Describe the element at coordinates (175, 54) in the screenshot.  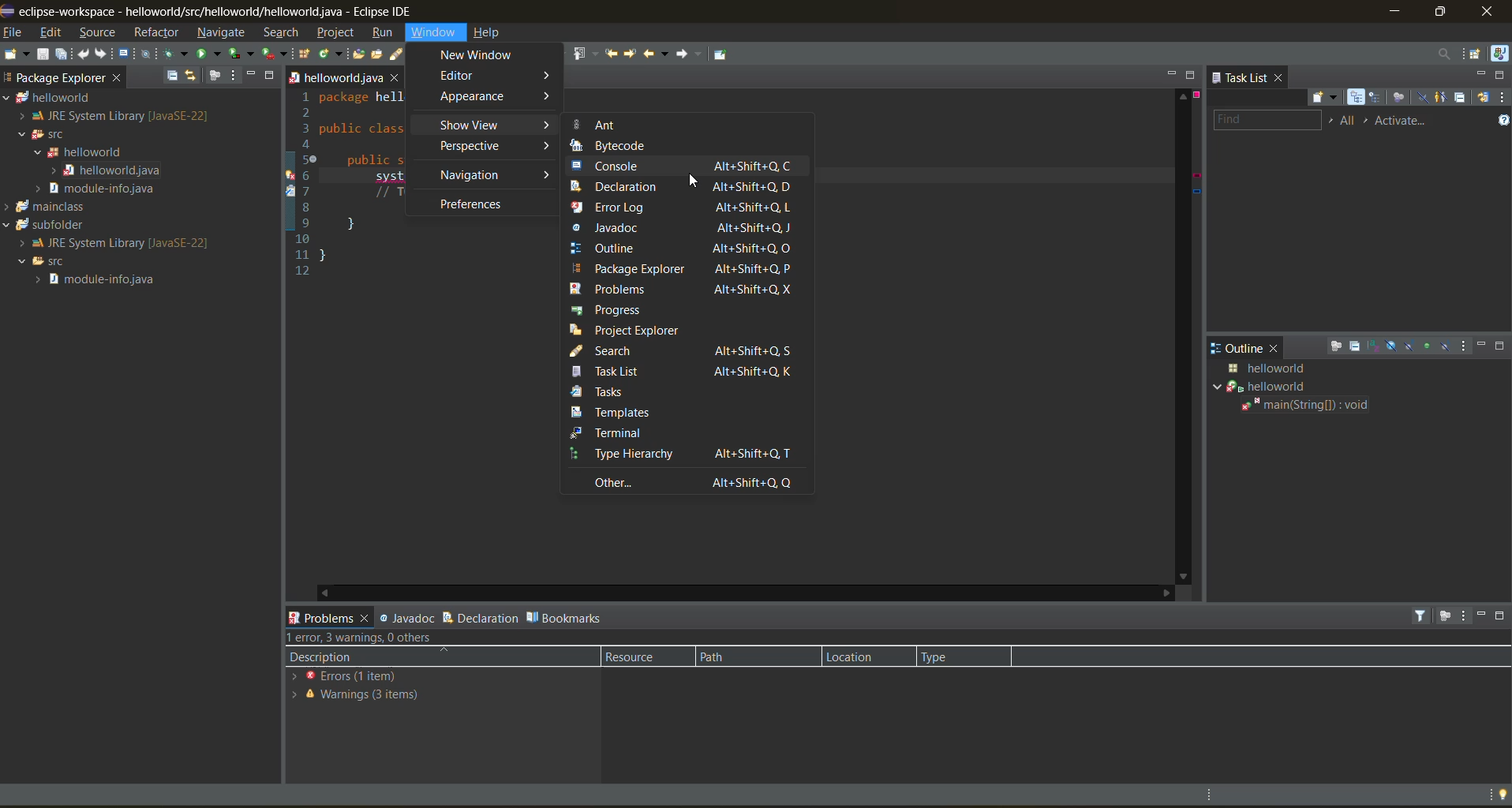
I see `debug` at that location.